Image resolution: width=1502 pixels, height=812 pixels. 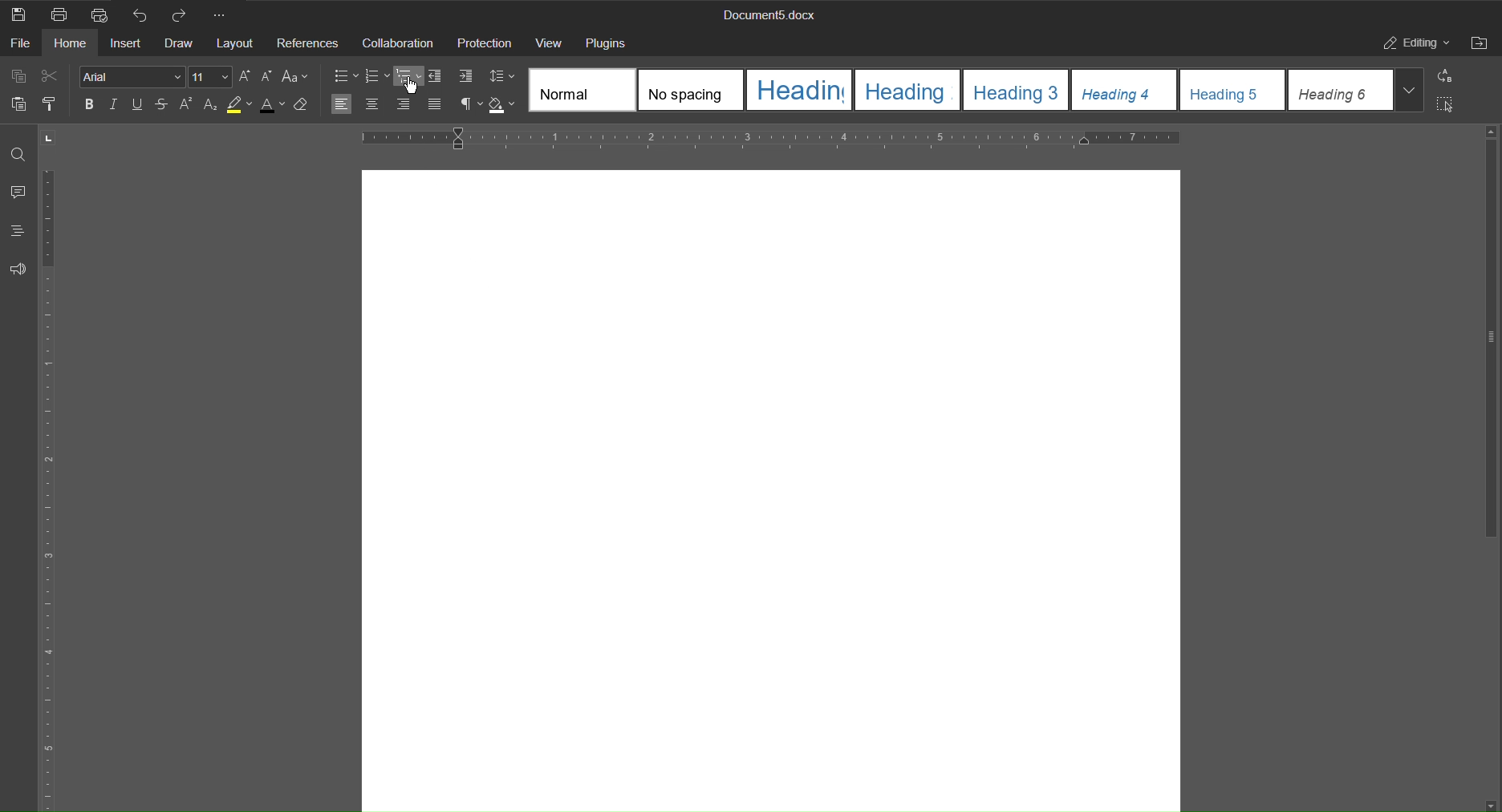 I want to click on Vertical Ruler, so click(x=51, y=486).